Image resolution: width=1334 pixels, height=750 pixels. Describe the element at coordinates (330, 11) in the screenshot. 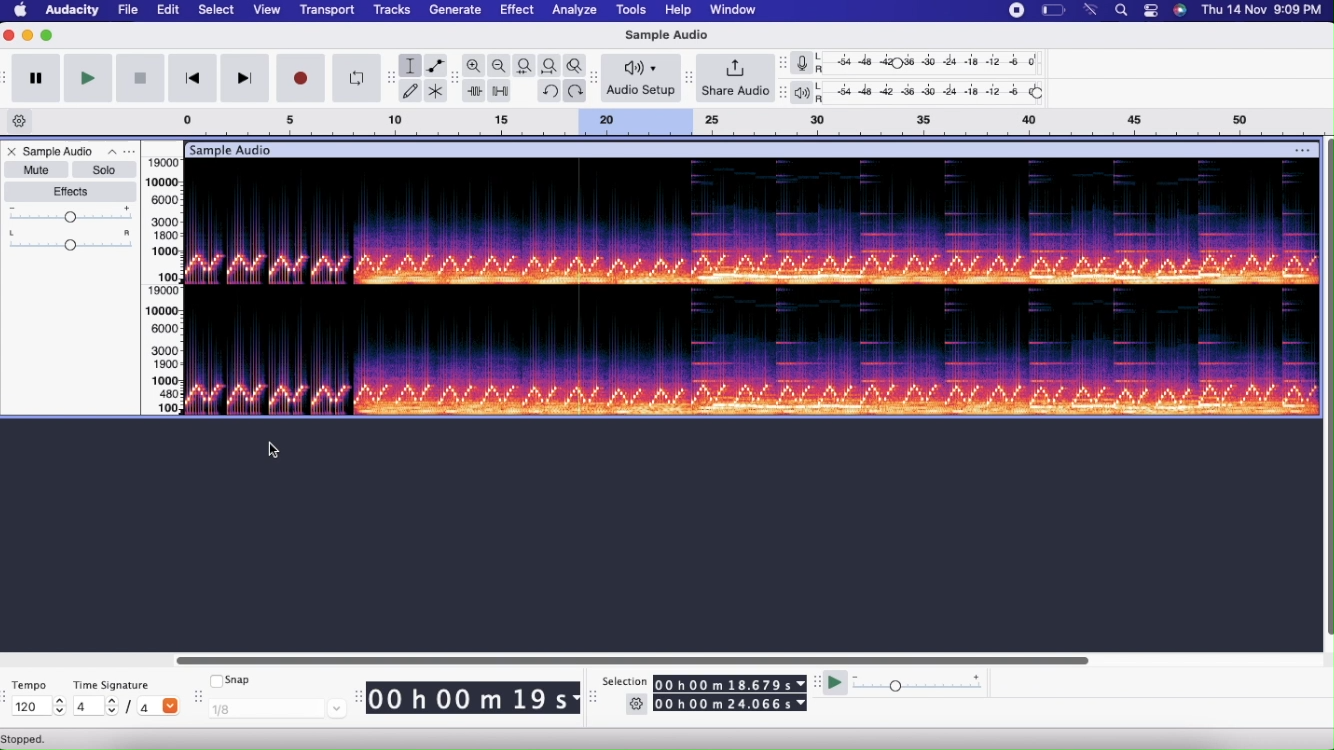

I see `Transport` at that location.